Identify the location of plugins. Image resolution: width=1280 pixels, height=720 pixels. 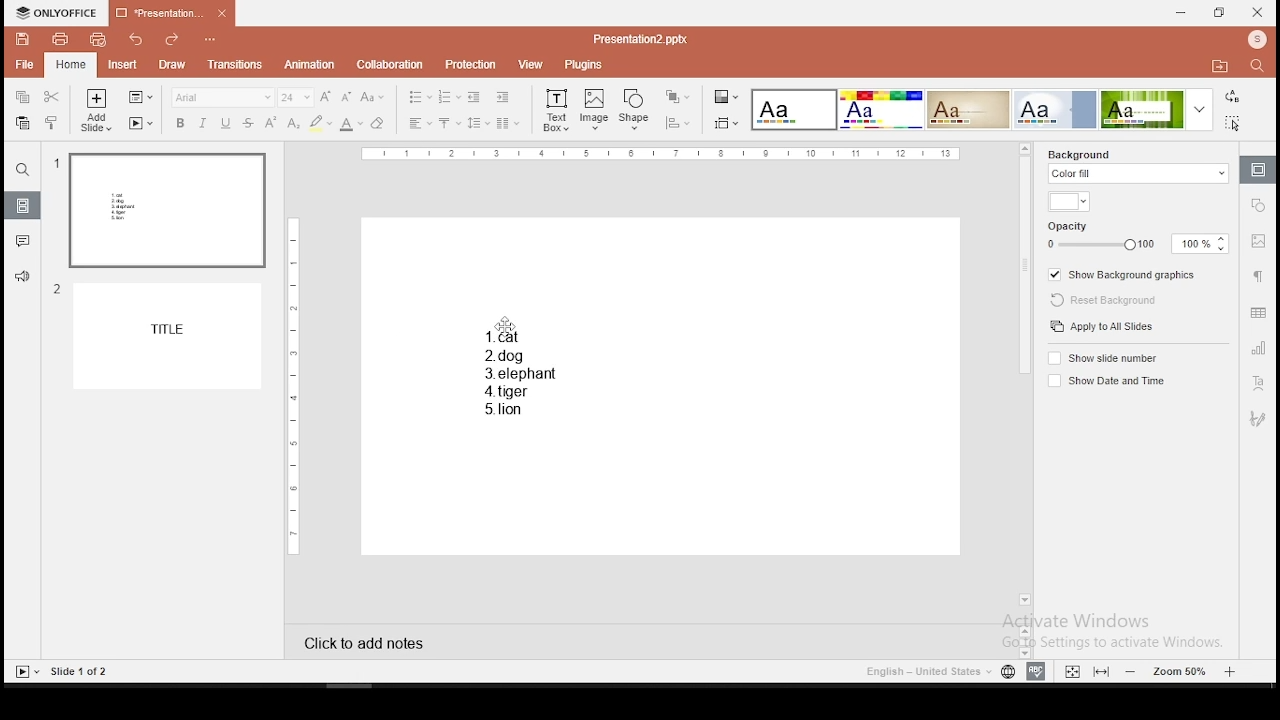
(585, 65).